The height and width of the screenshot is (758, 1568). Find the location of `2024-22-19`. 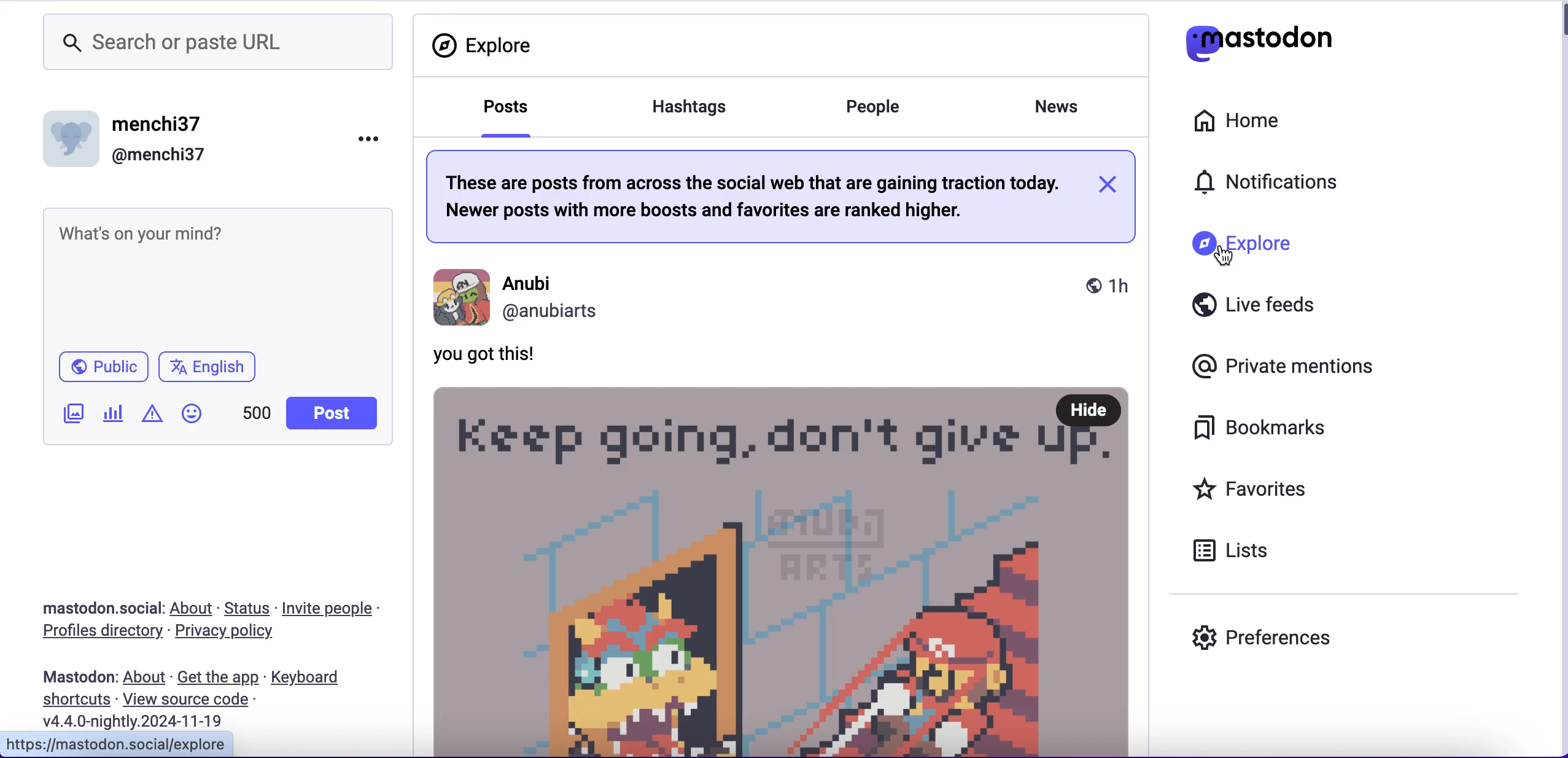

2024-22-19 is located at coordinates (140, 722).